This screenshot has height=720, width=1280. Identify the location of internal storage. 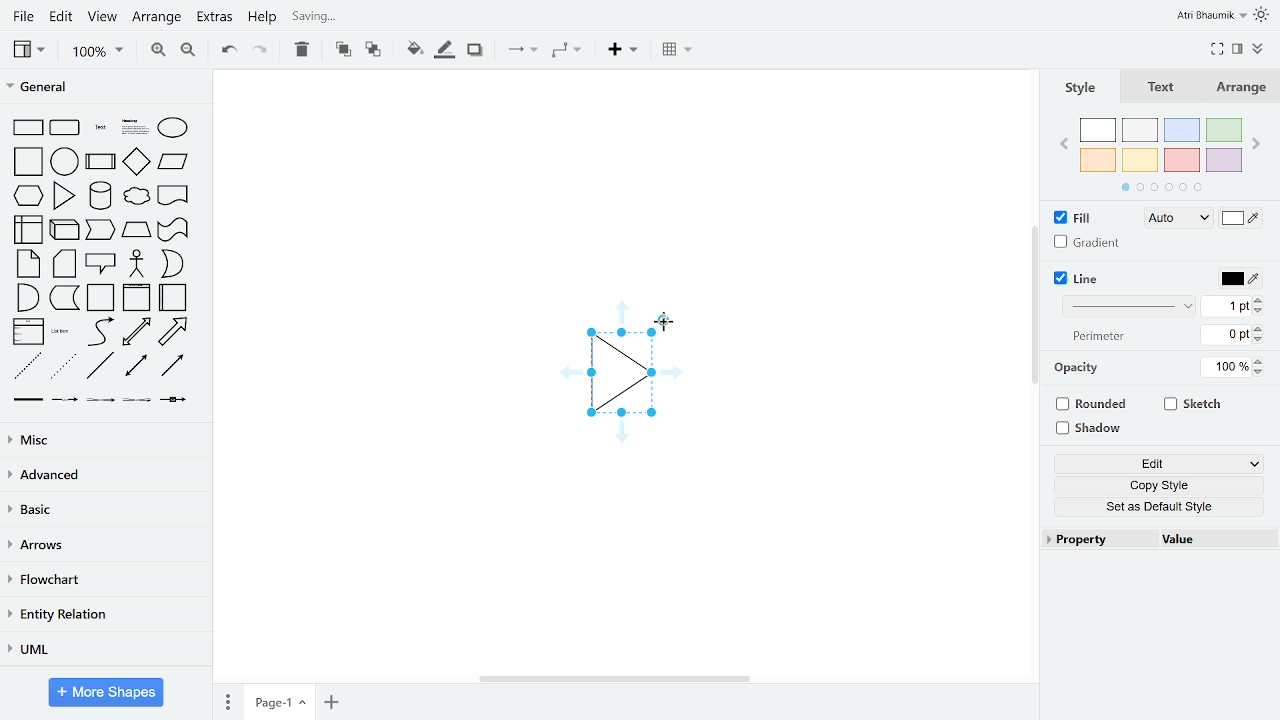
(25, 229).